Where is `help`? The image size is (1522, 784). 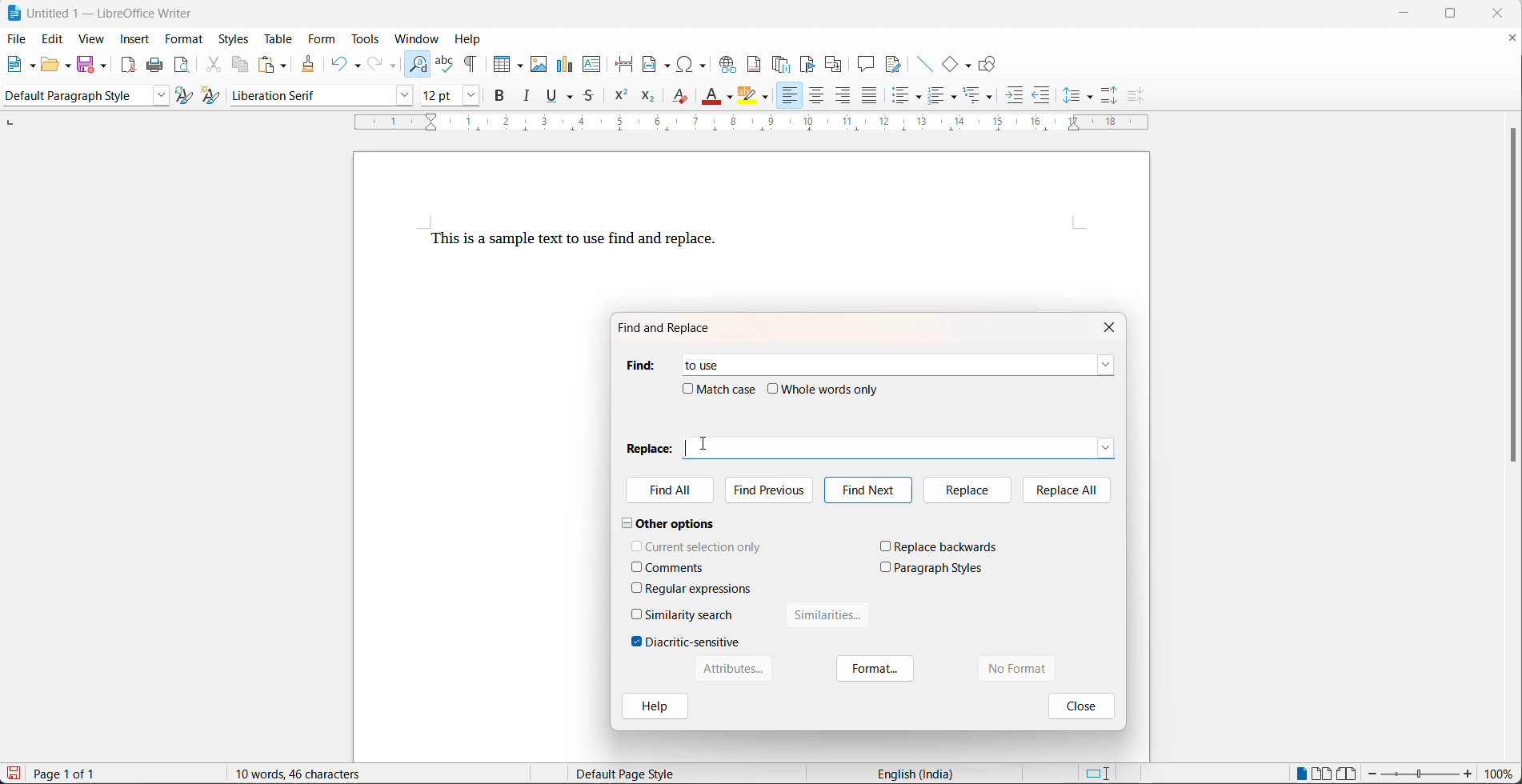 help is located at coordinates (473, 38).